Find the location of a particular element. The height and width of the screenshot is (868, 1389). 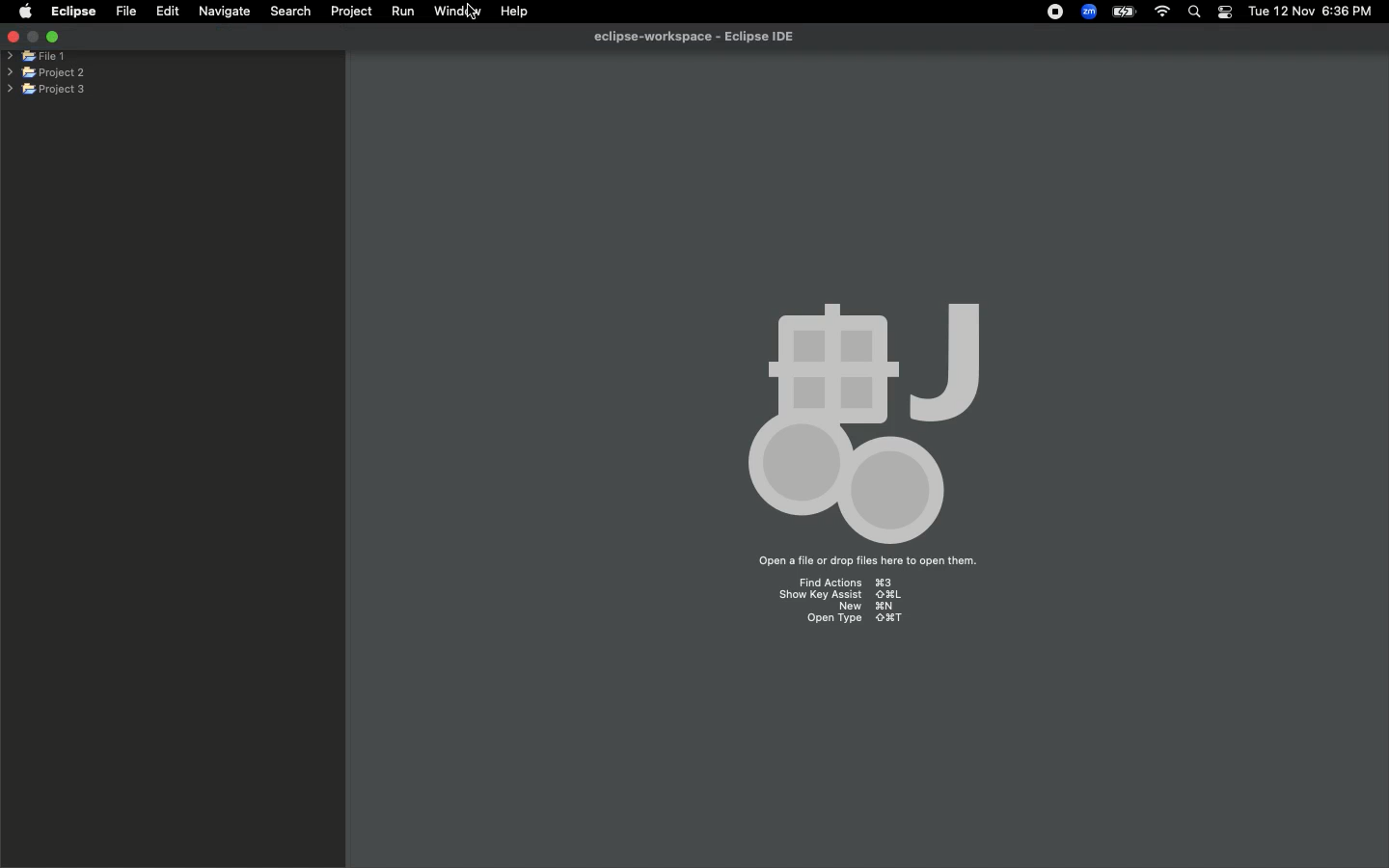

Notification is located at coordinates (1224, 13).